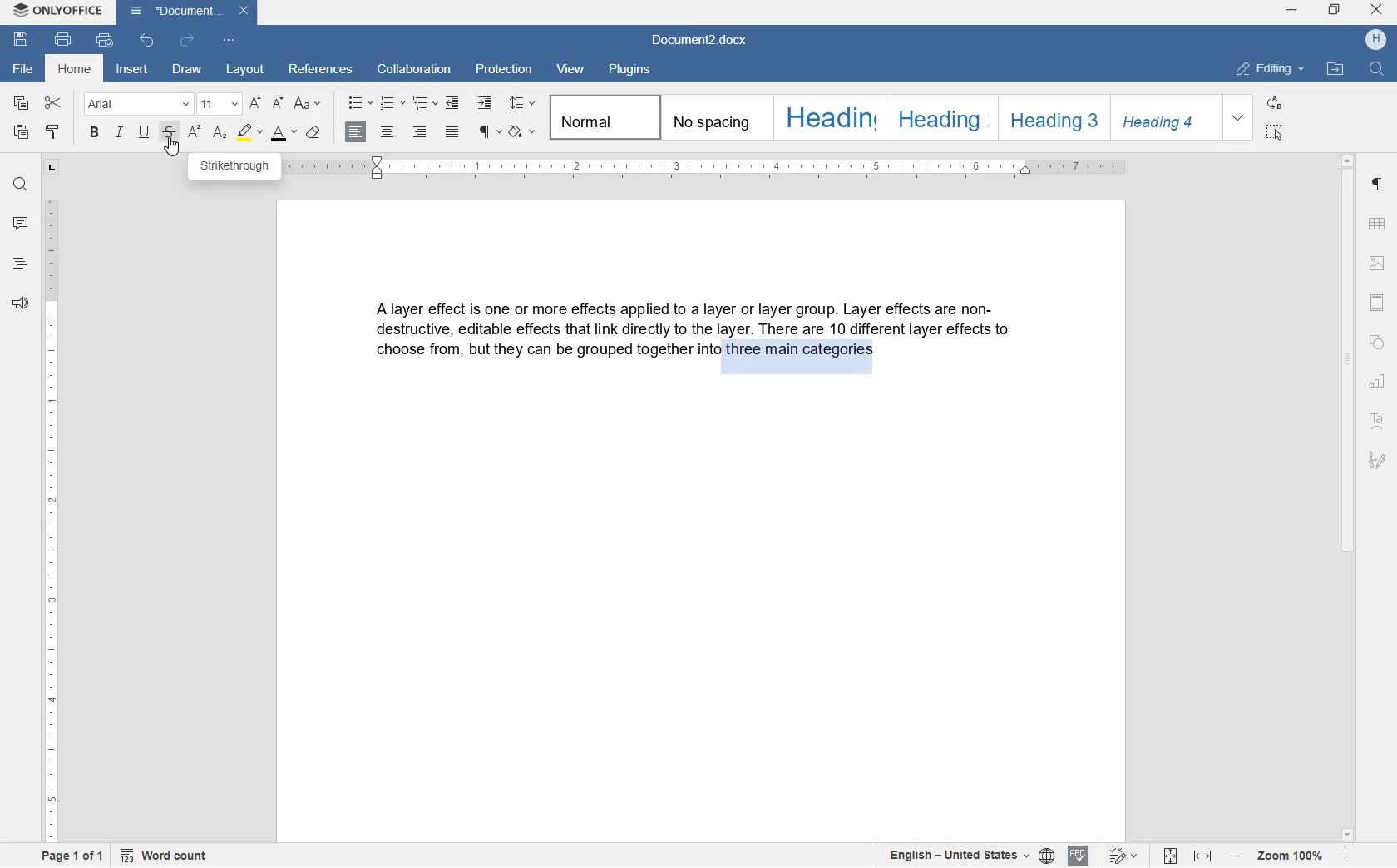 This screenshot has height=868, width=1397. What do you see at coordinates (414, 70) in the screenshot?
I see `collaboration` at bounding box center [414, 70].